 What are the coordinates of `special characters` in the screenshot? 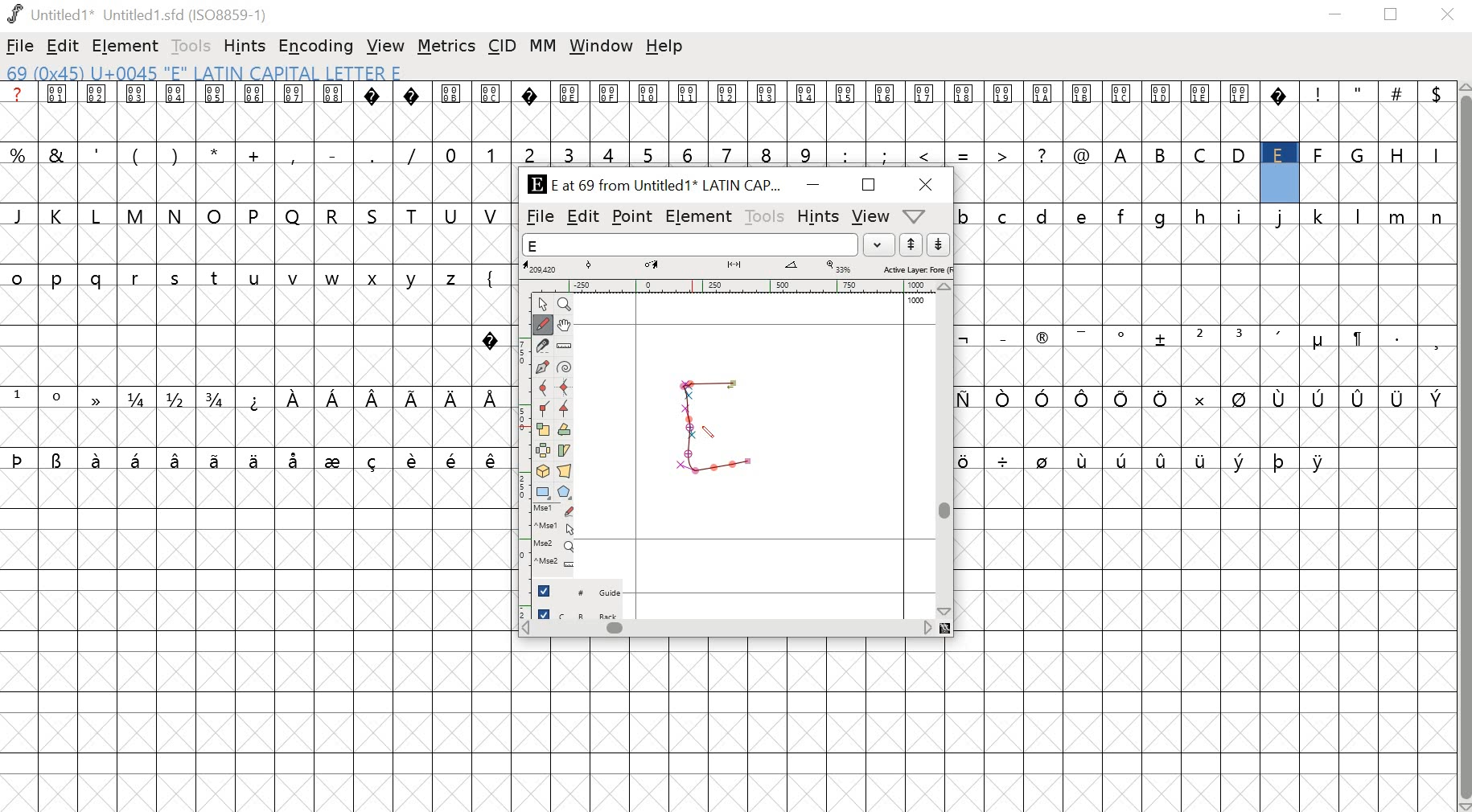 It's located at (255, 461).